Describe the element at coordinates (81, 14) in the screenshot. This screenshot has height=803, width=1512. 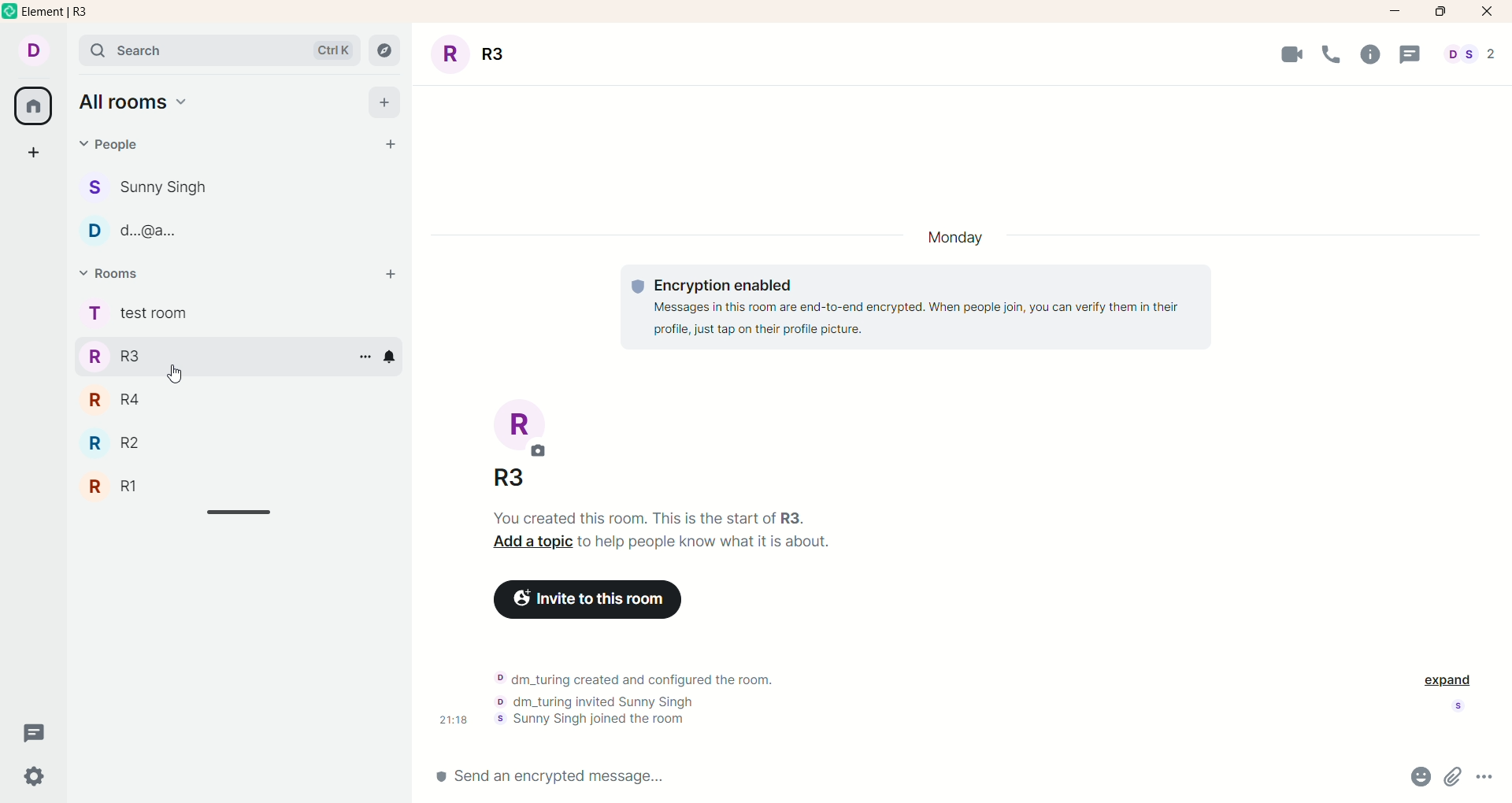
I see `element` at that location.